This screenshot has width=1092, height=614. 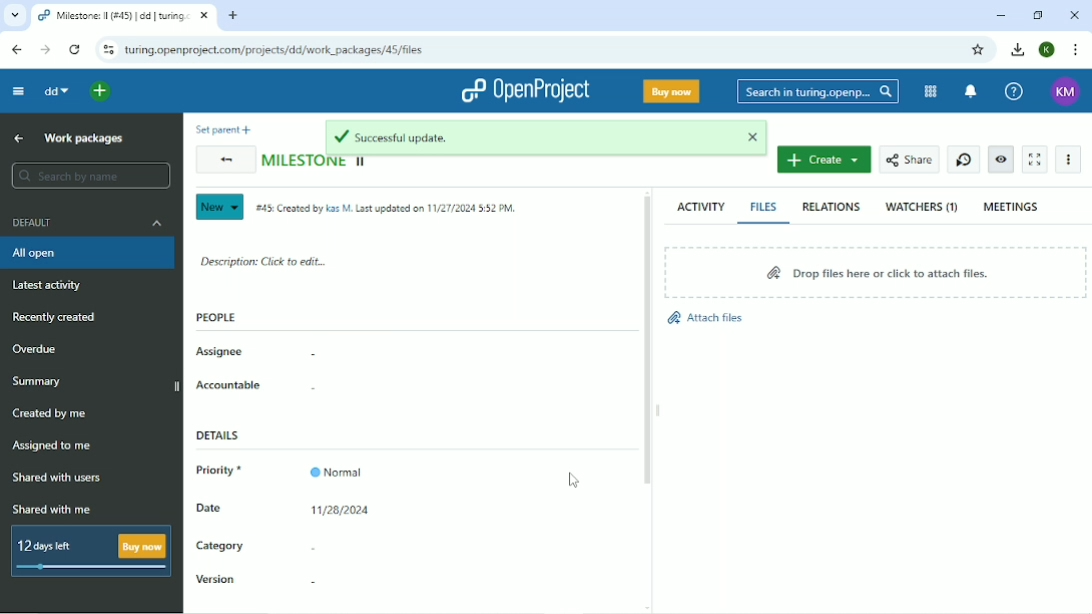 I want to click on 12 days left Buy now, so click(x=92, y=552).